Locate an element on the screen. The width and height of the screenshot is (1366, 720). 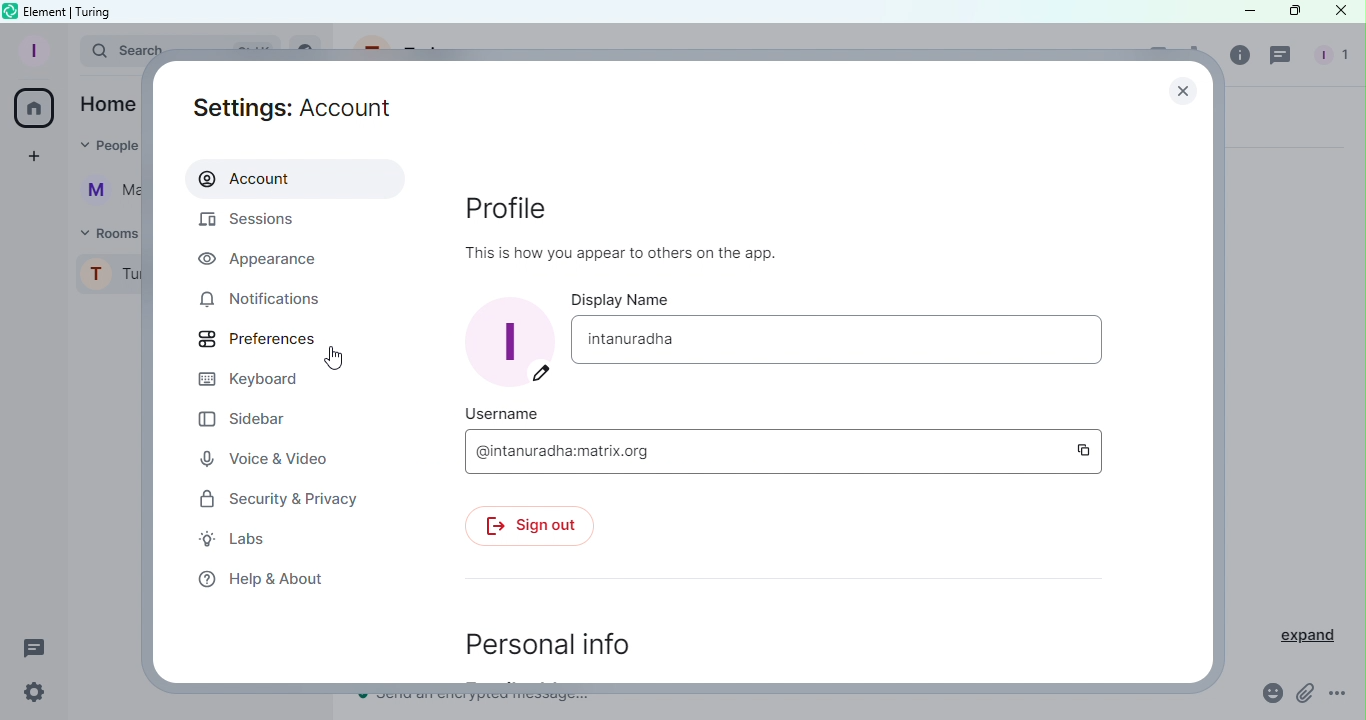
Copy is located at coordinates (1083, 452).